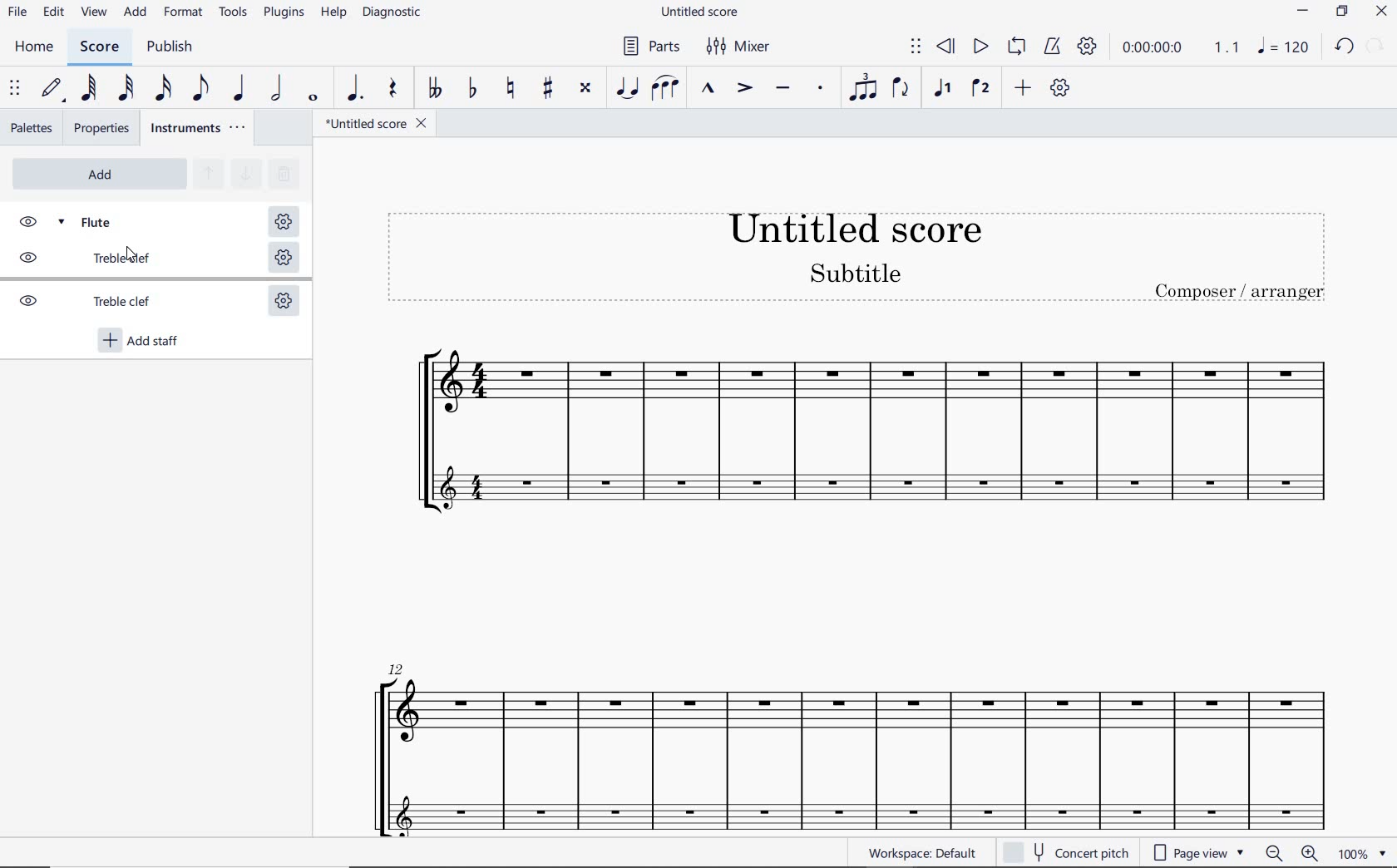 The width and height of the screenshot is (1397, 868). I want to click on zoom in or zoom out, so click(1288, 853).